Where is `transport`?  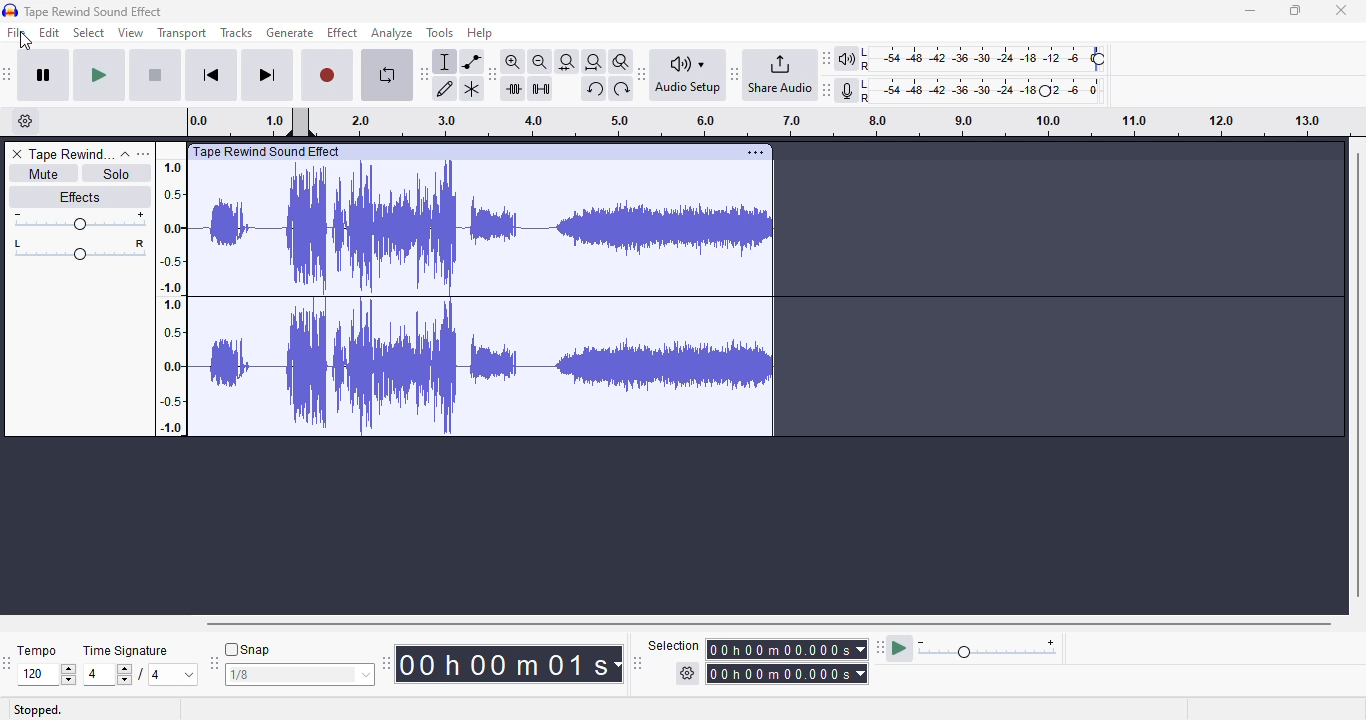 transport is located at coordinates (183, 33).